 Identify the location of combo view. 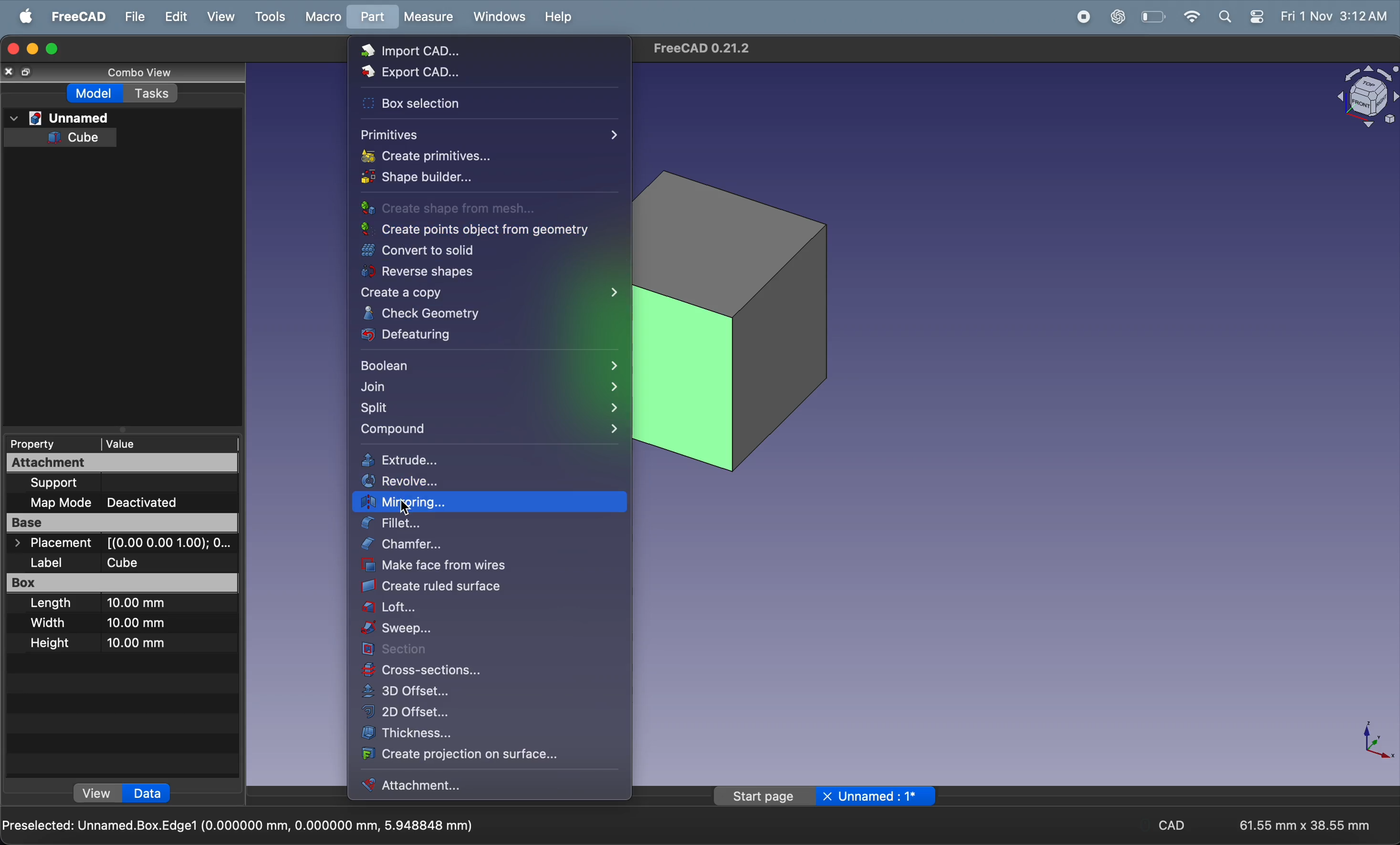
(140, 74).